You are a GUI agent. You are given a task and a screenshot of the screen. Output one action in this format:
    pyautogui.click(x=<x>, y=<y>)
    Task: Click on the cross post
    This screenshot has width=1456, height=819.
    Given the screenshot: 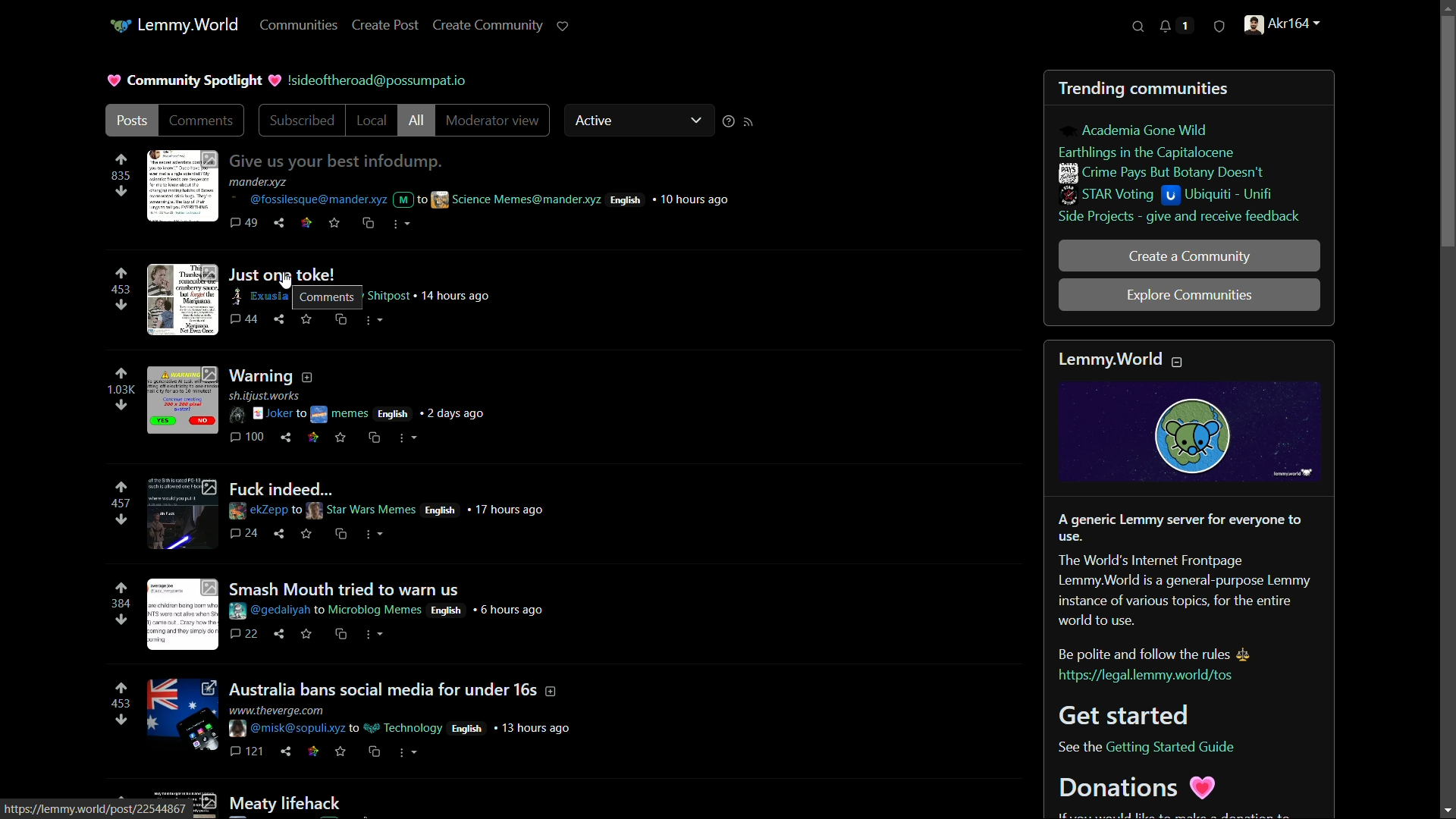 What is the action you would take?
    pyautogui.click(x=377, y=438)
    